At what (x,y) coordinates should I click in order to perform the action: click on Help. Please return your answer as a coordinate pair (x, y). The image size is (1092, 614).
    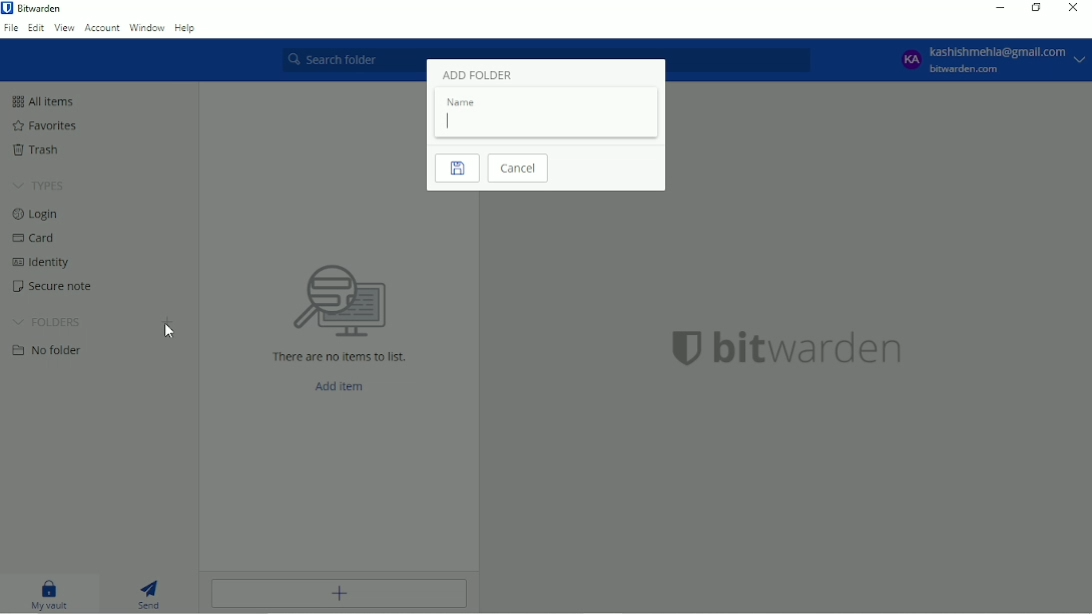
    Looking at the image, I should click on (186, 29).